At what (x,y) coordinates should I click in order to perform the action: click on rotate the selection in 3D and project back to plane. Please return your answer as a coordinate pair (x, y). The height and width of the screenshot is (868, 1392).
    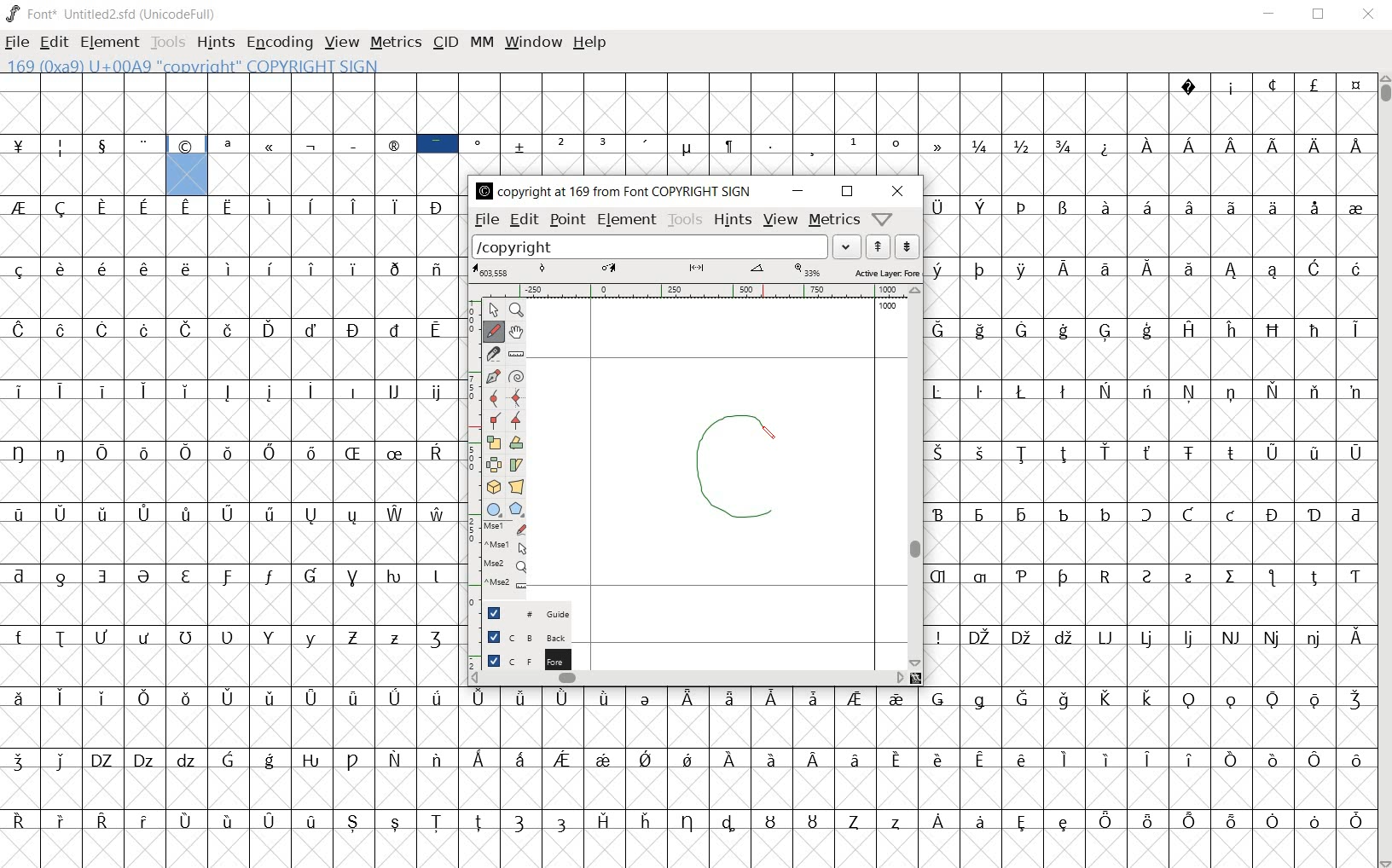
    Looking at the image, I should click on (493, 486).